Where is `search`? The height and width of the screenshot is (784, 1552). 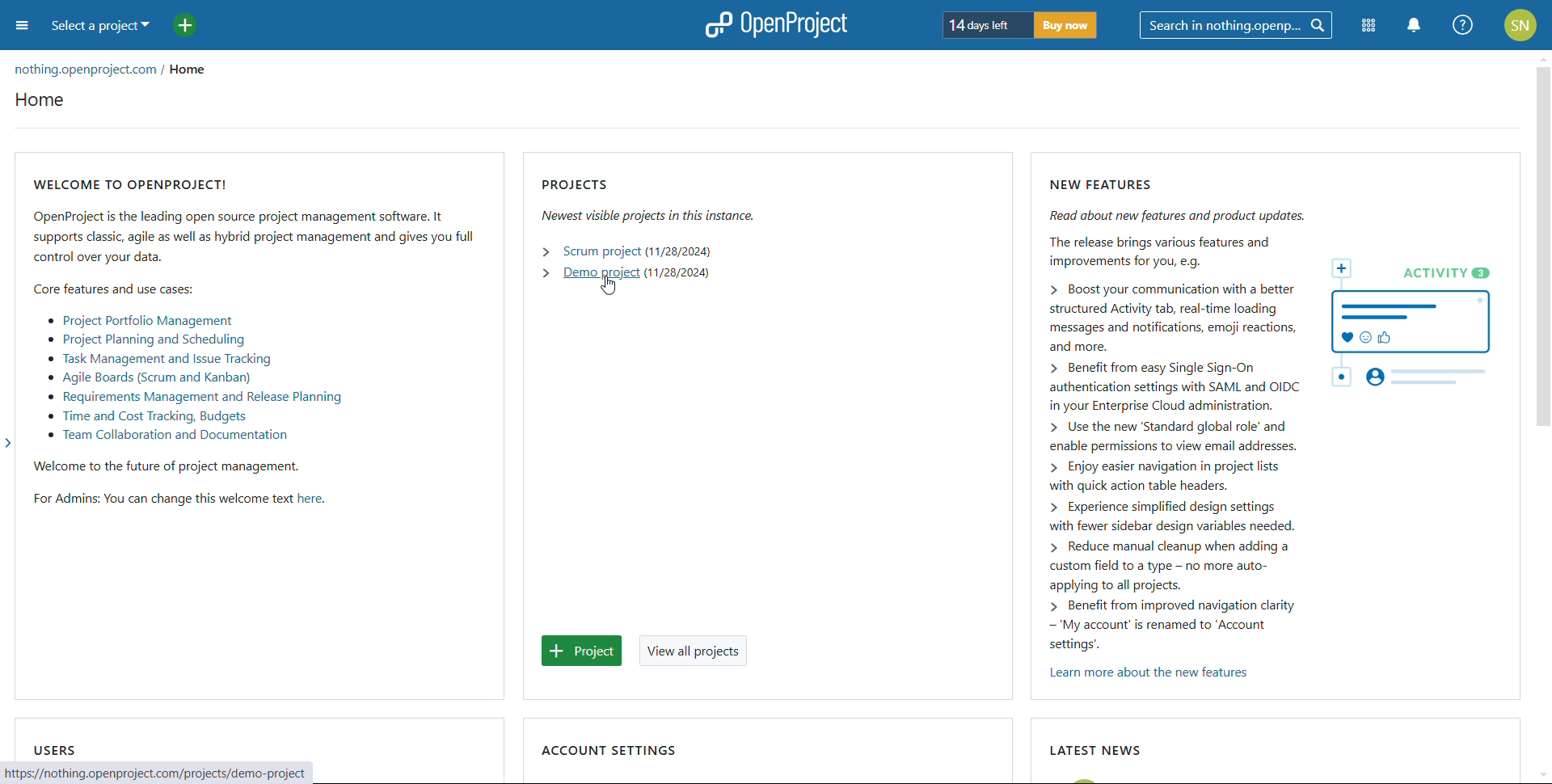 search is located at coordinates (1236, 26).